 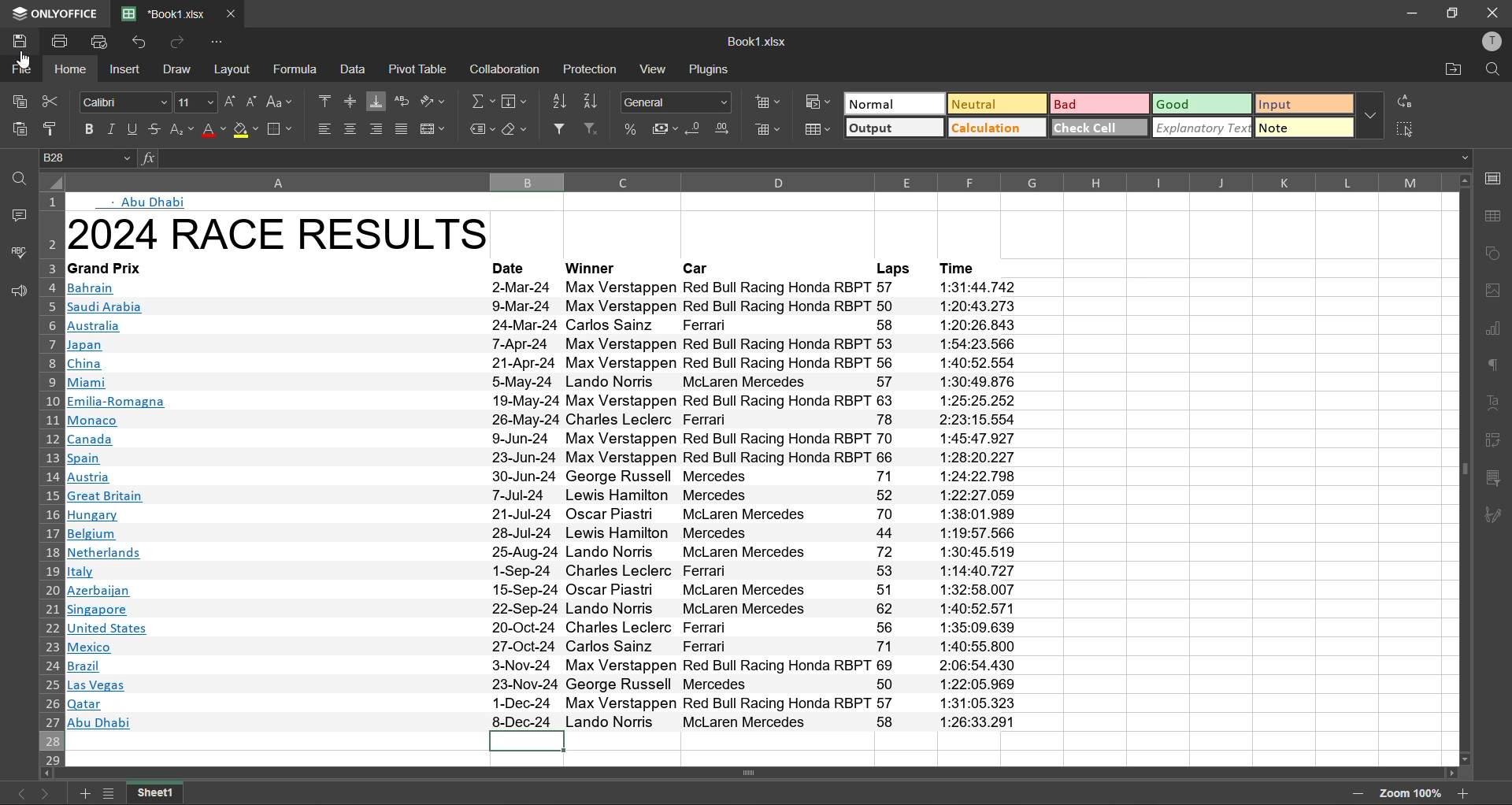 What do you see at coordinates (16, 293) in the screenshot?
I see `feedback` at bounding box center [16, 293].